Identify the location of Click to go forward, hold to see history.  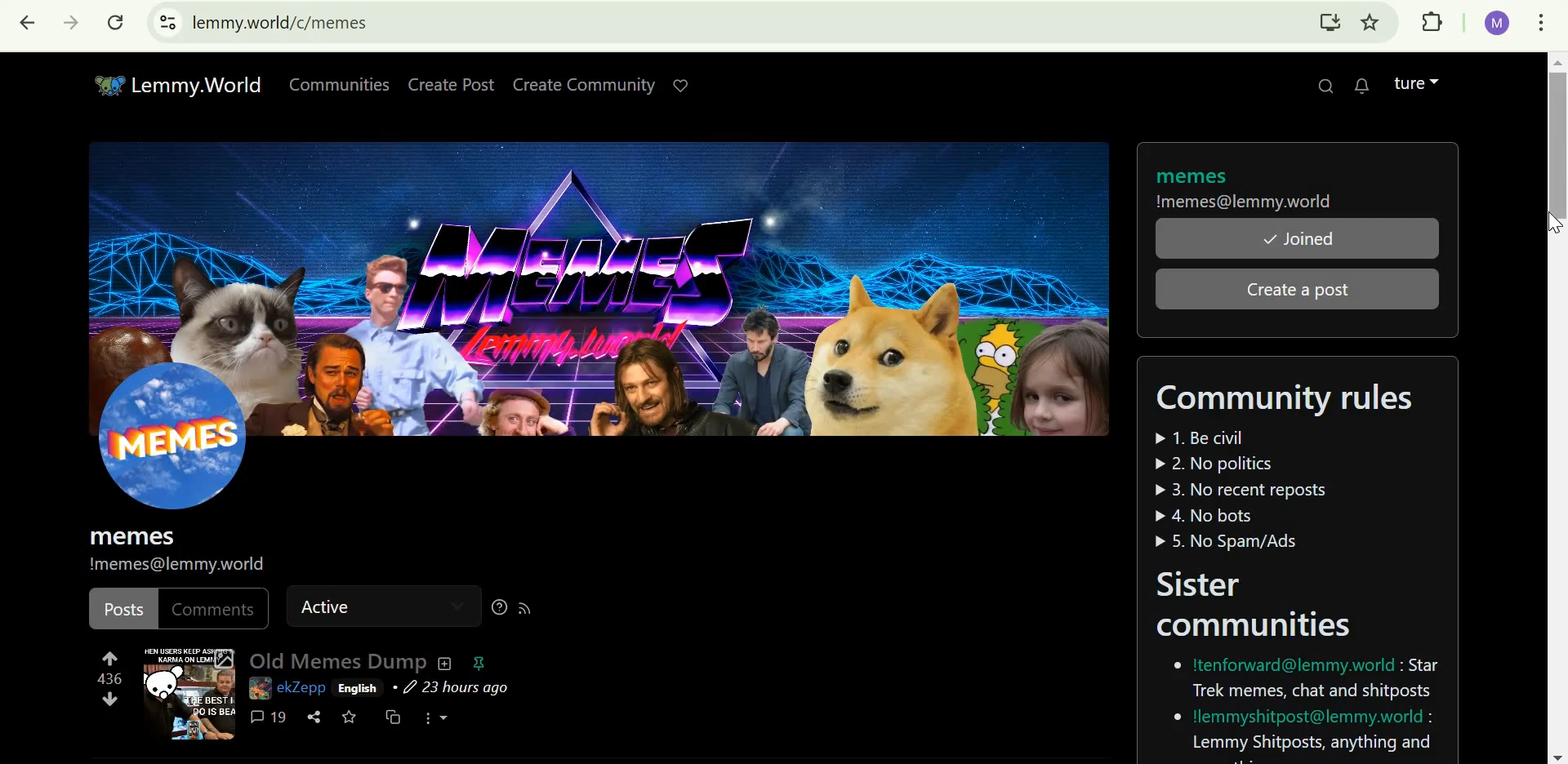
(71, 25).